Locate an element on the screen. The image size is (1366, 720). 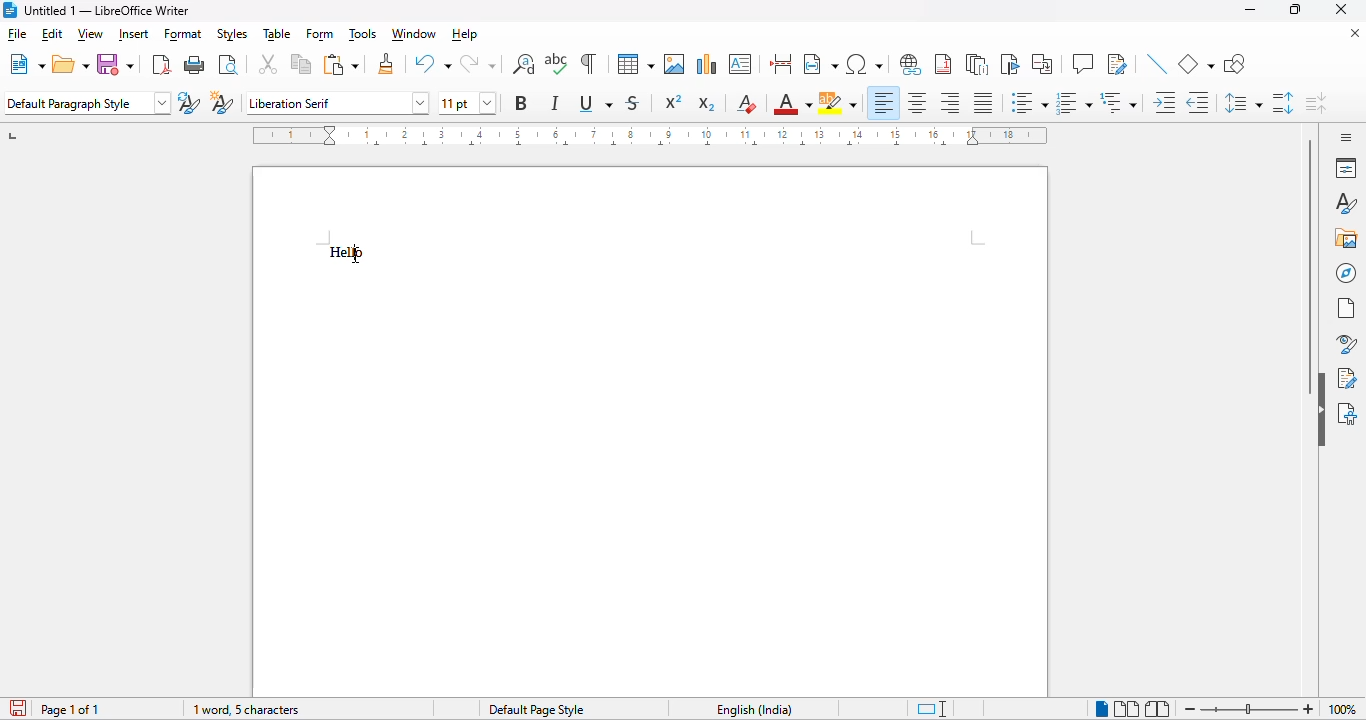
file is located at coordinates (16, 34).